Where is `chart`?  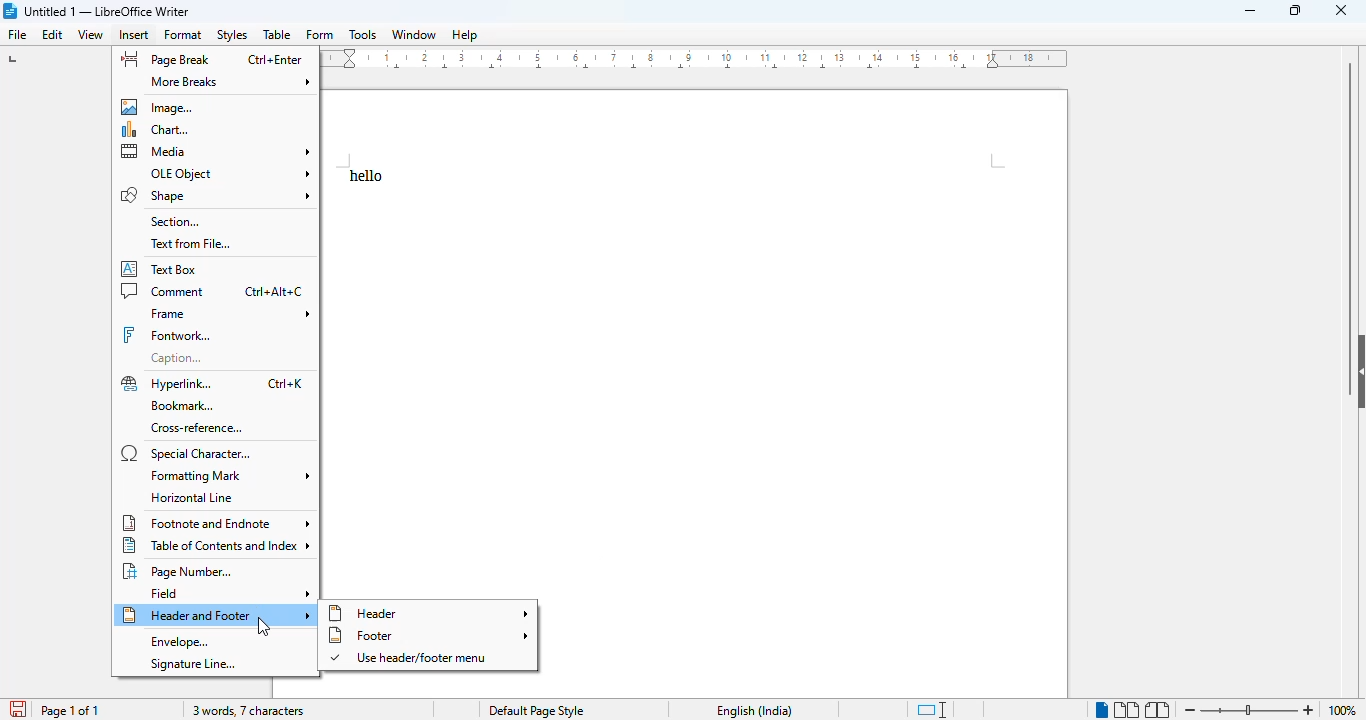 chart is located at coordinates (156, 130).